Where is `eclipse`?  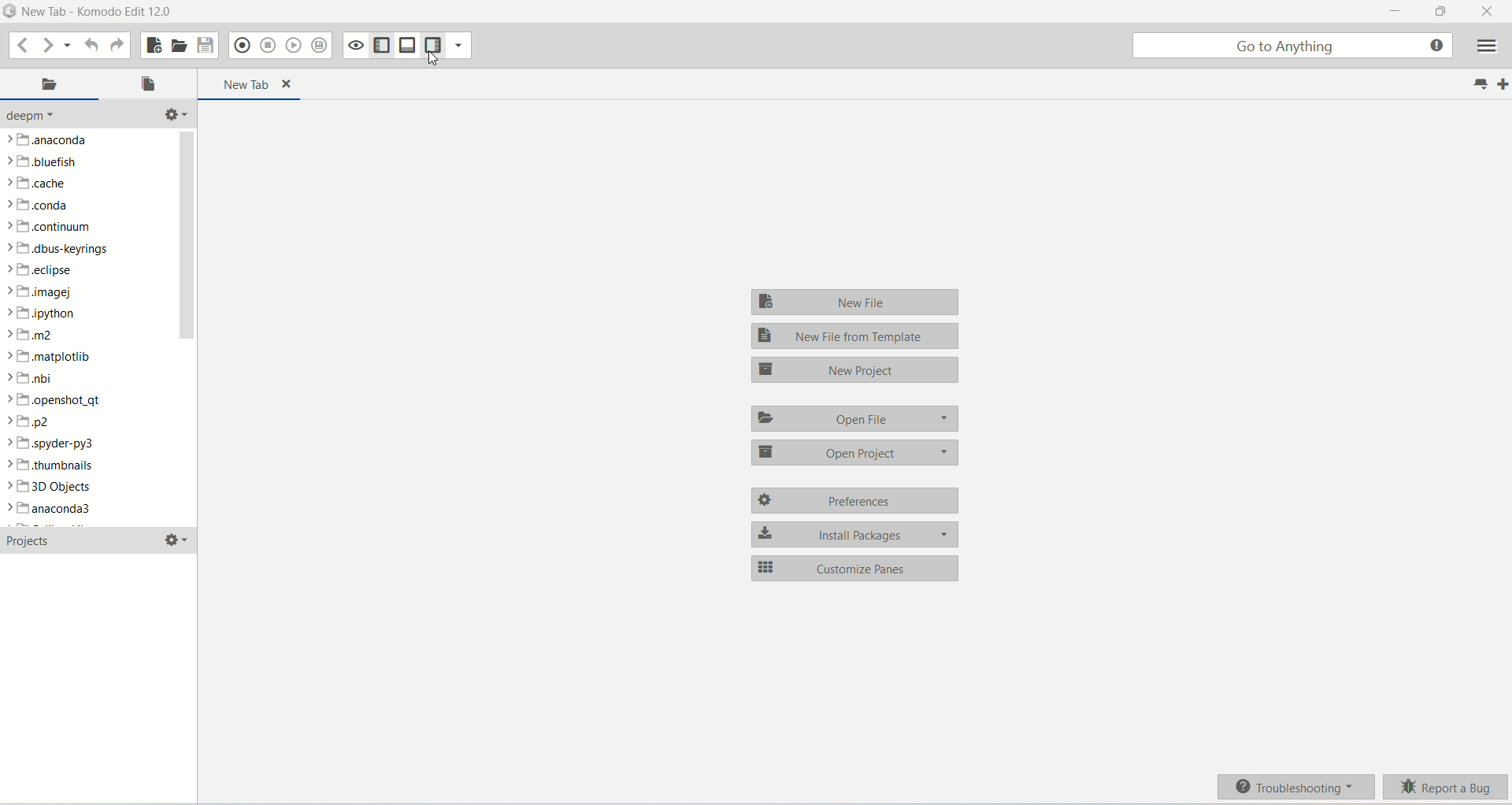
eclipse is located at coordinates (42, 270).